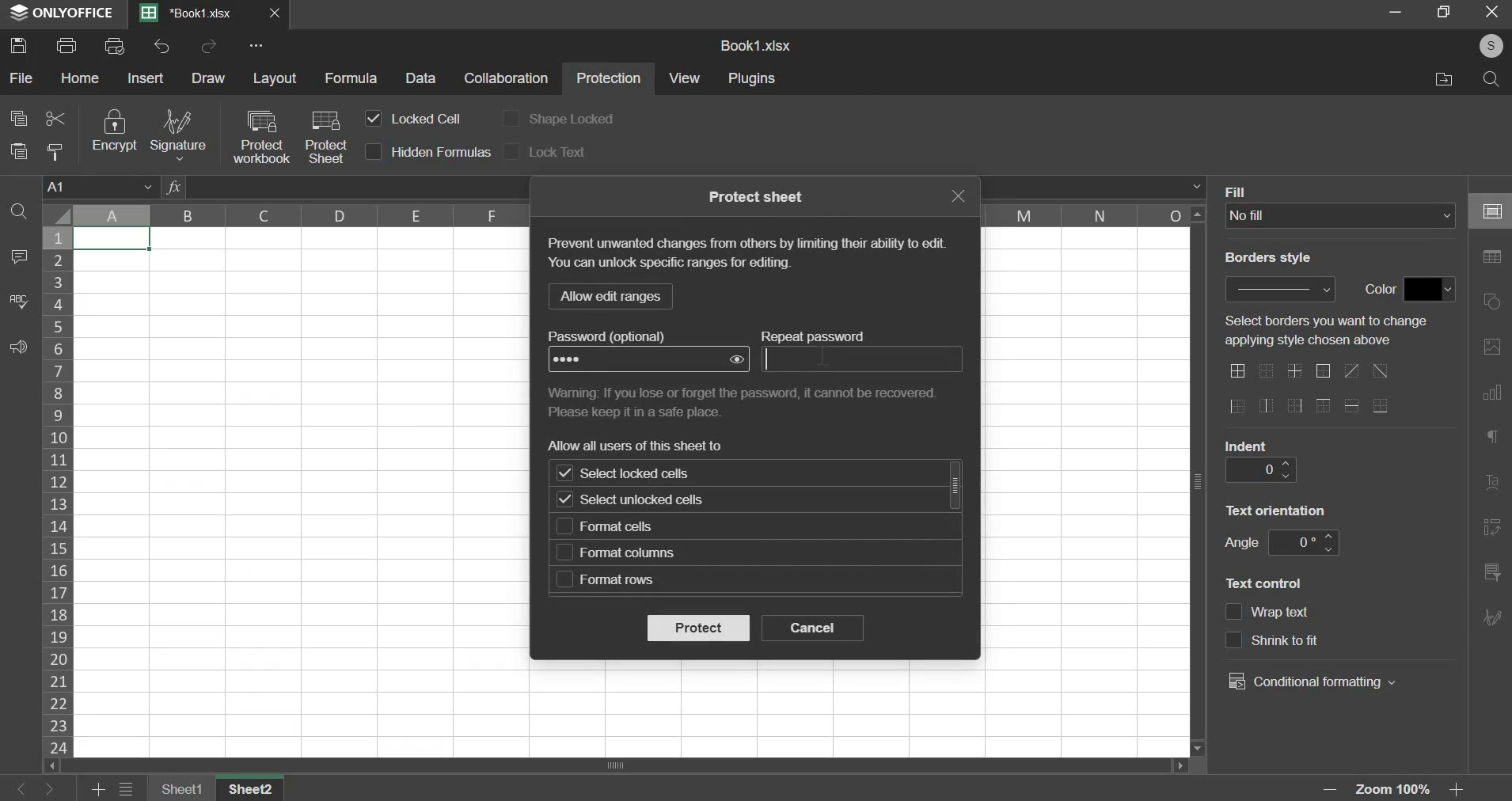  Describe the element at coordinates (21, 79) in the screenshot. I see `file` at that location.